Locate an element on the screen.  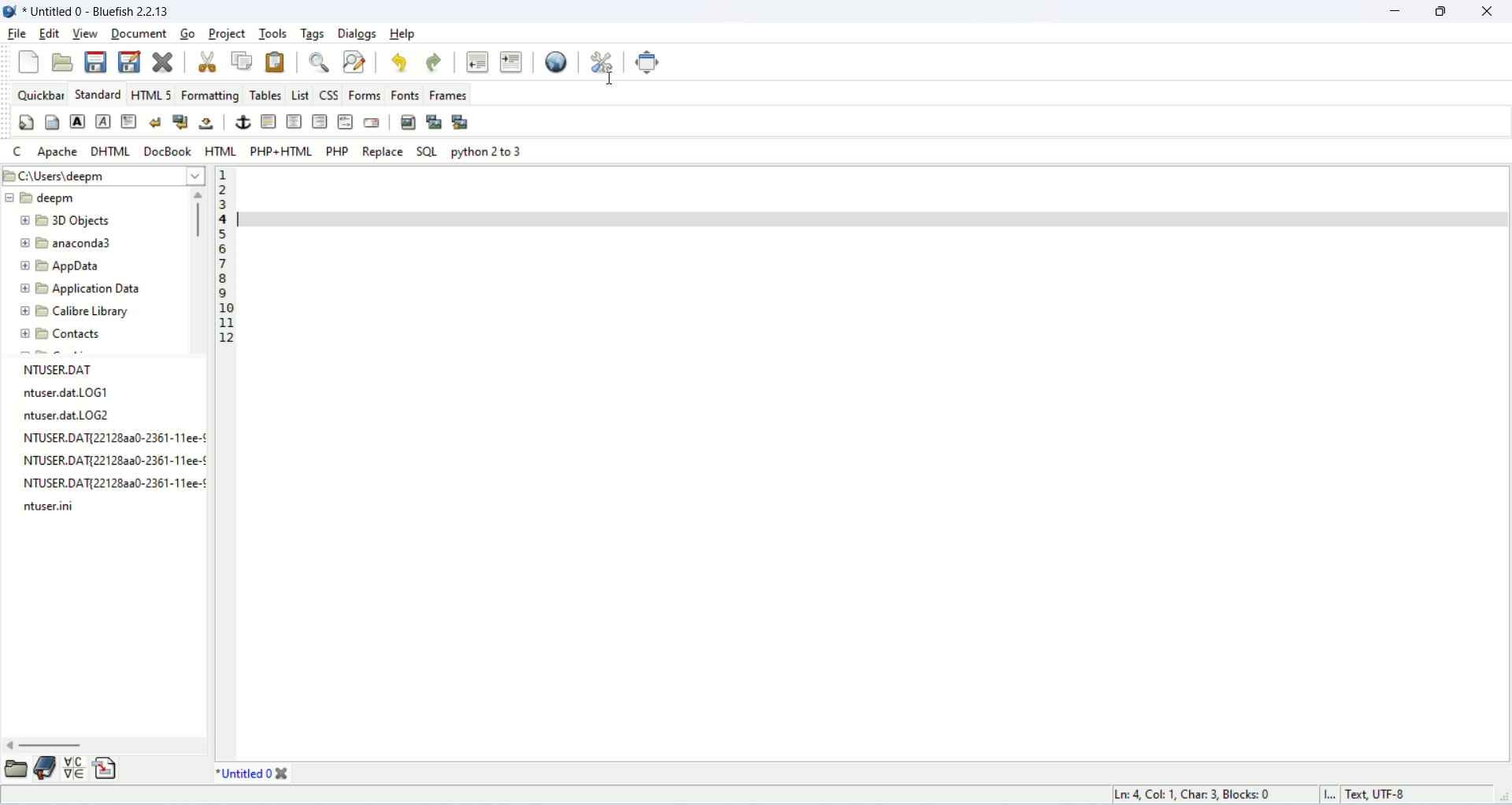
cursor is located at coordinates (613, 81).